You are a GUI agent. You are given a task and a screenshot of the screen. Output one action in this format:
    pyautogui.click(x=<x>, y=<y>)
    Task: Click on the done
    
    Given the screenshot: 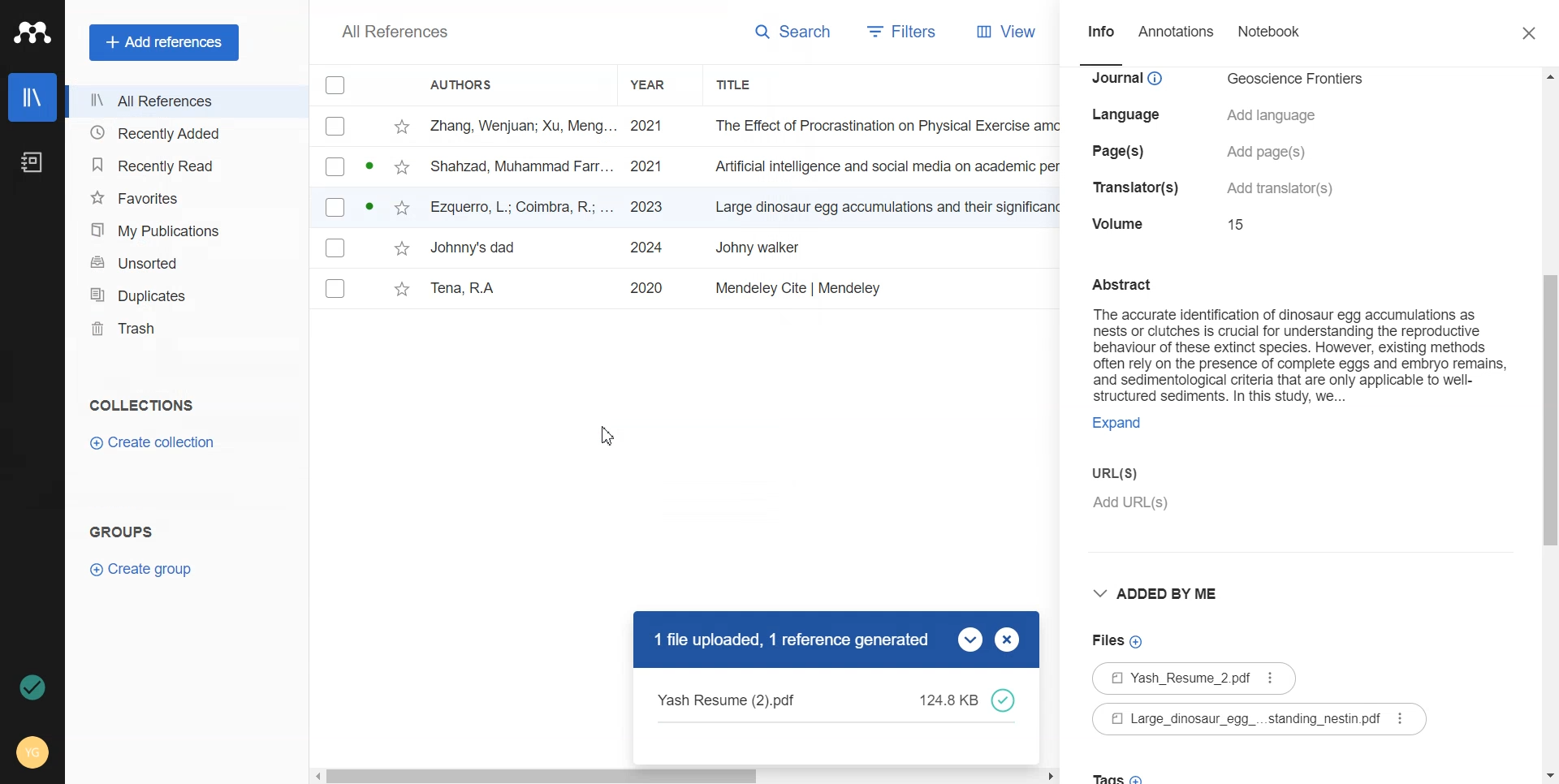 What is the action you would take?
    pyautogui.click(x=1006, y=701)
    